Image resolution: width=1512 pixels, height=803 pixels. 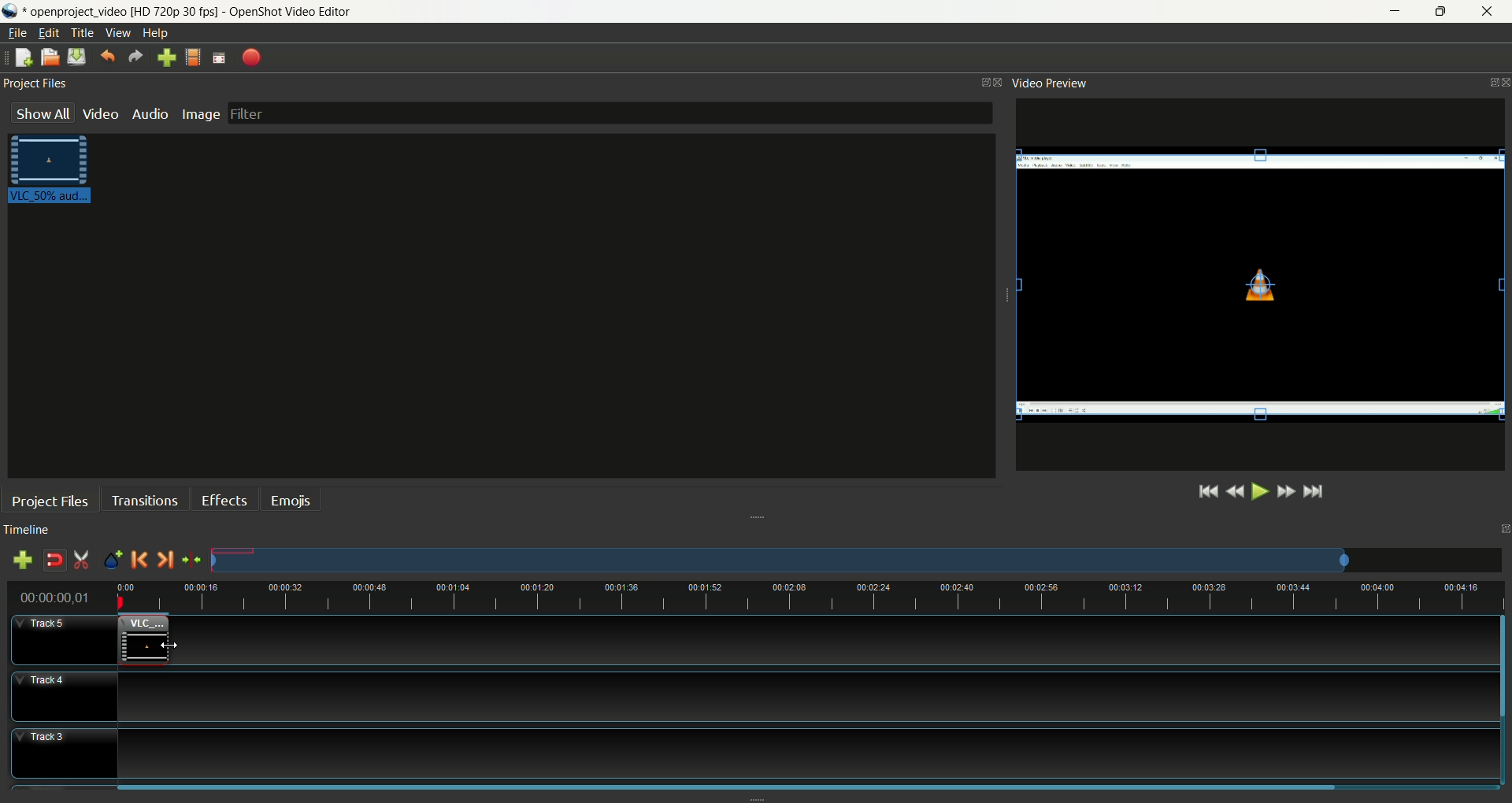 I want to click on maximize, so click(x=1443, y=12).